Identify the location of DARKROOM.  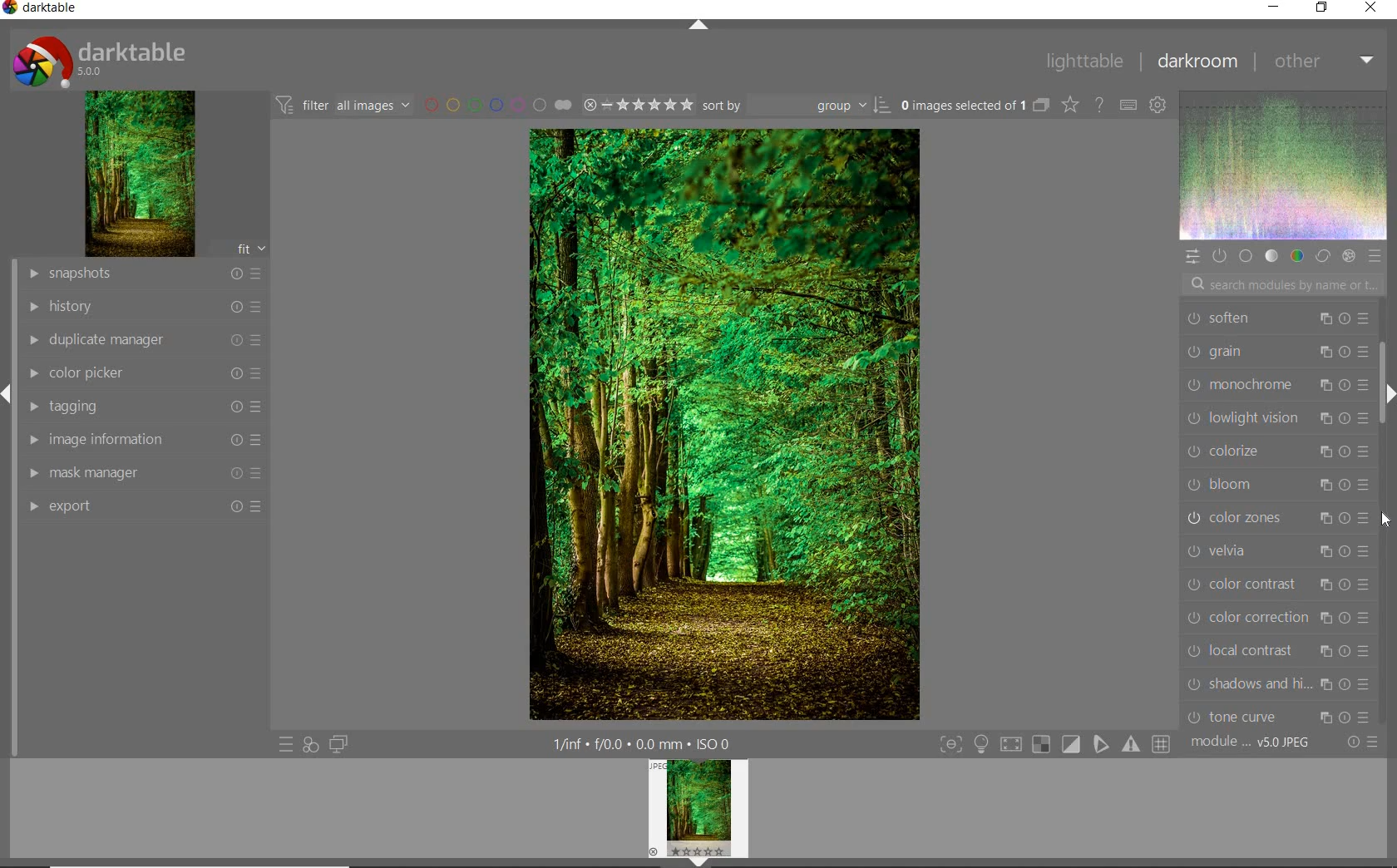
(1198, 63).